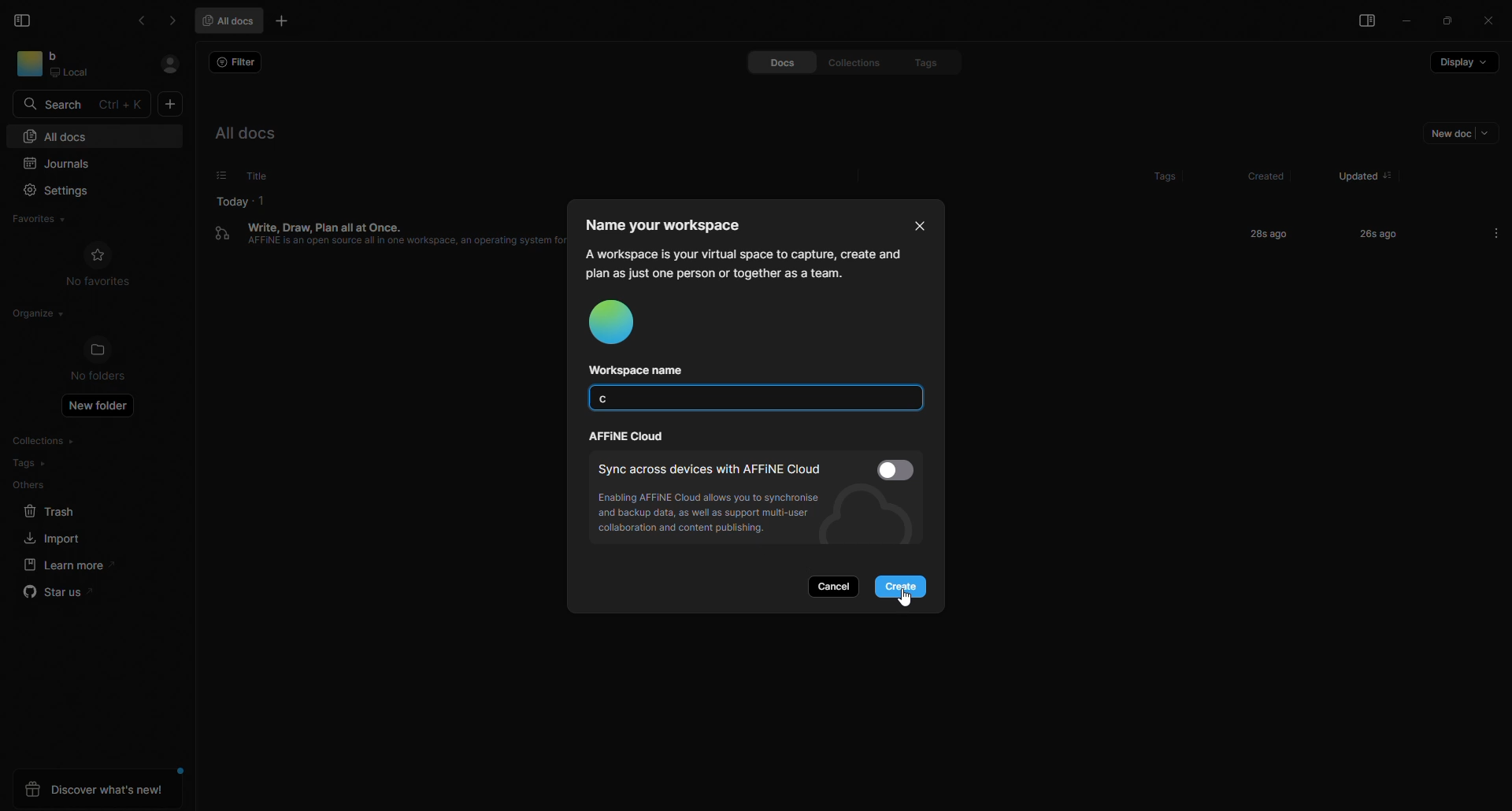 This screenshot has width=1512, height=811. What do you see at coordinates (232, 199) in the screenshot?
I see `today` at bounding box center [232, 199].